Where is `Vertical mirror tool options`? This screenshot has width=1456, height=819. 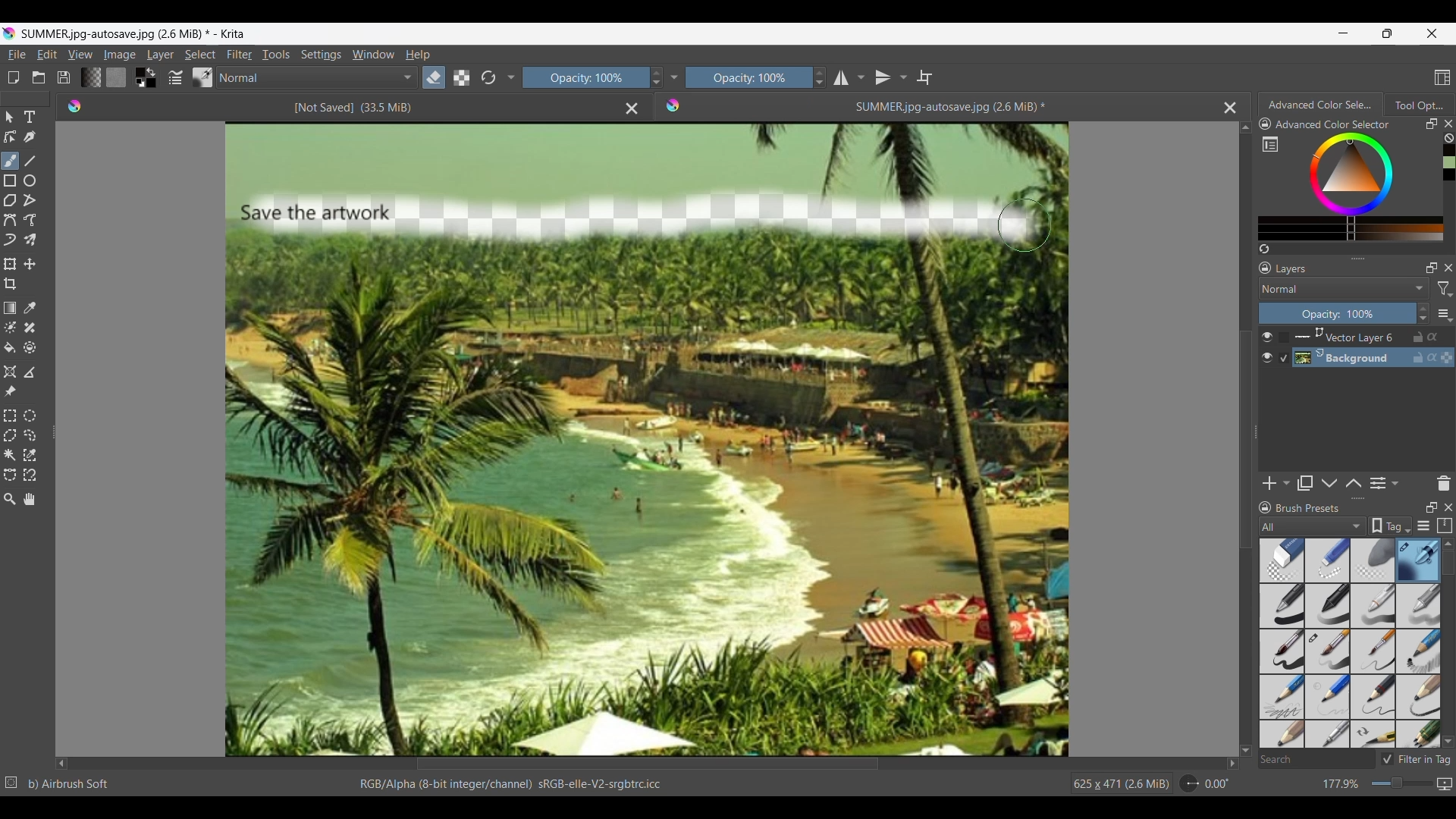 Vertical mirror tool options is located at coordinates (891, 77).